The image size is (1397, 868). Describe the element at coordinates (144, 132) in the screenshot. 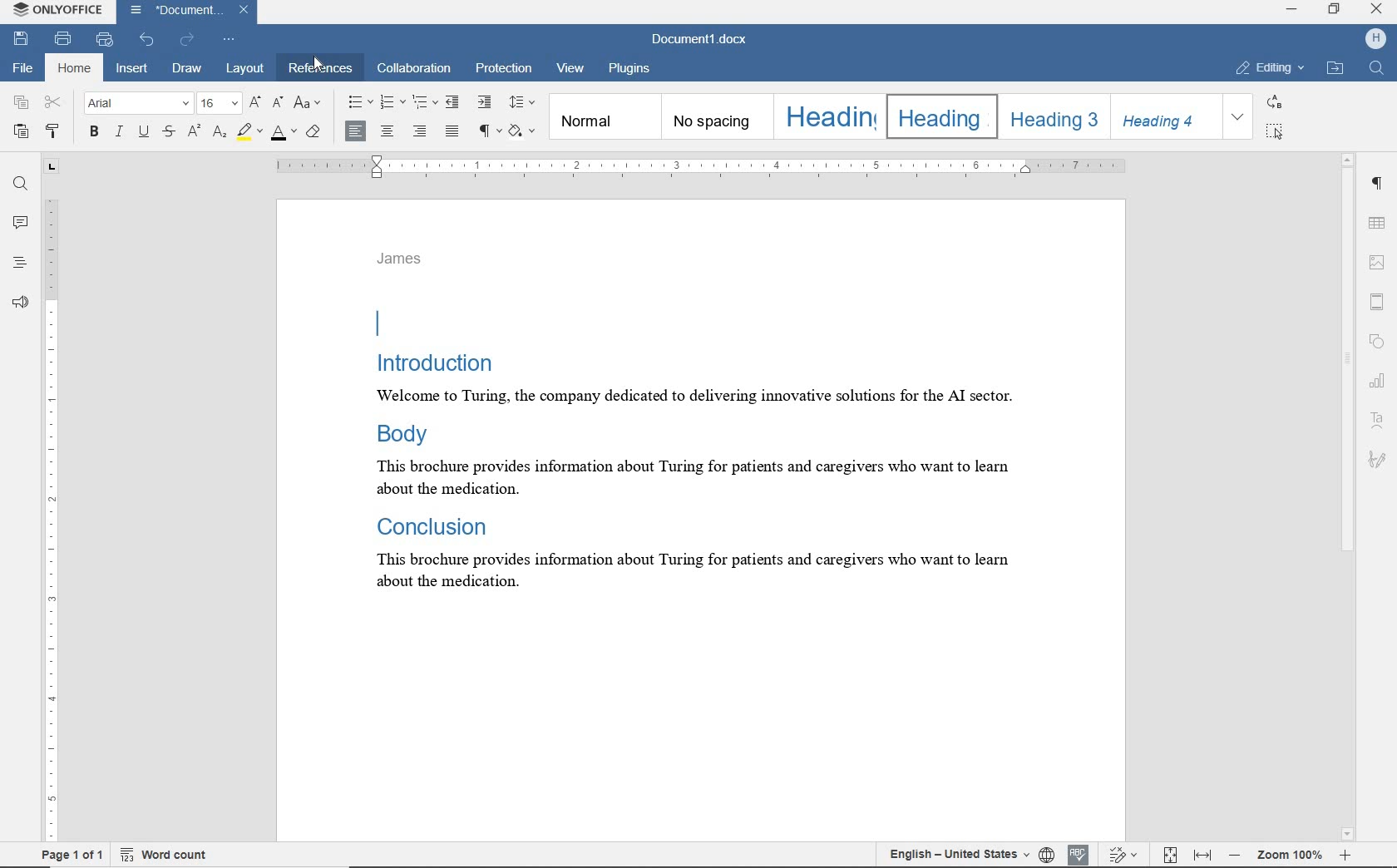

I see `underline` at that location.